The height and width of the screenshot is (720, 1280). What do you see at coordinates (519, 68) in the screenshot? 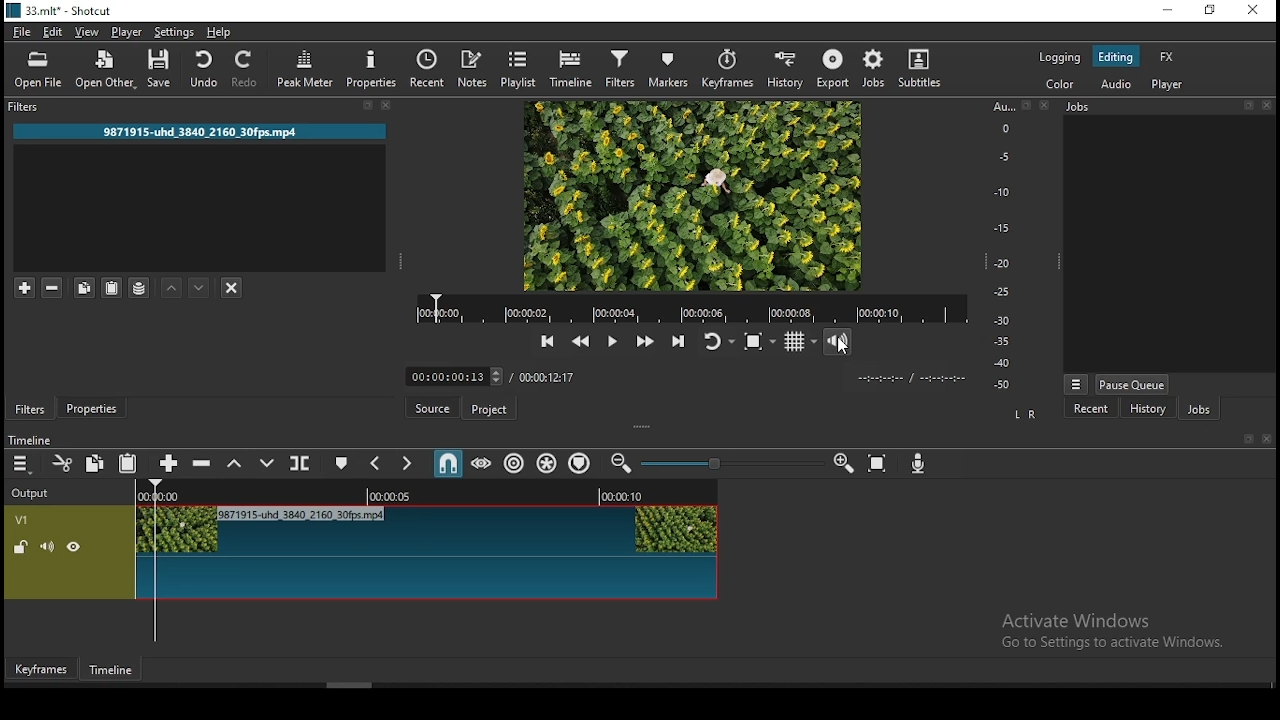
I see `playlist` at bounding box center [519, 68].